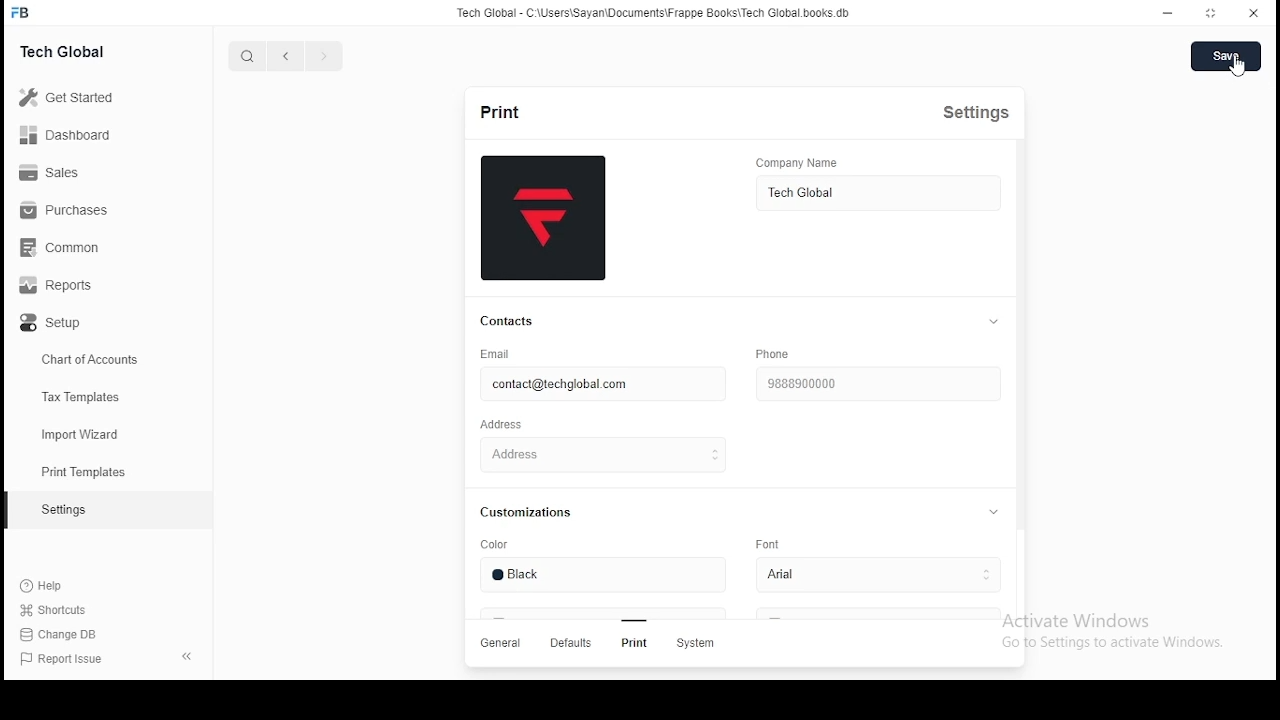  What do you see at coordinates (1213, 12) in the screenshot?
I see `RESIZE ` at bounding box center [1213, 12].